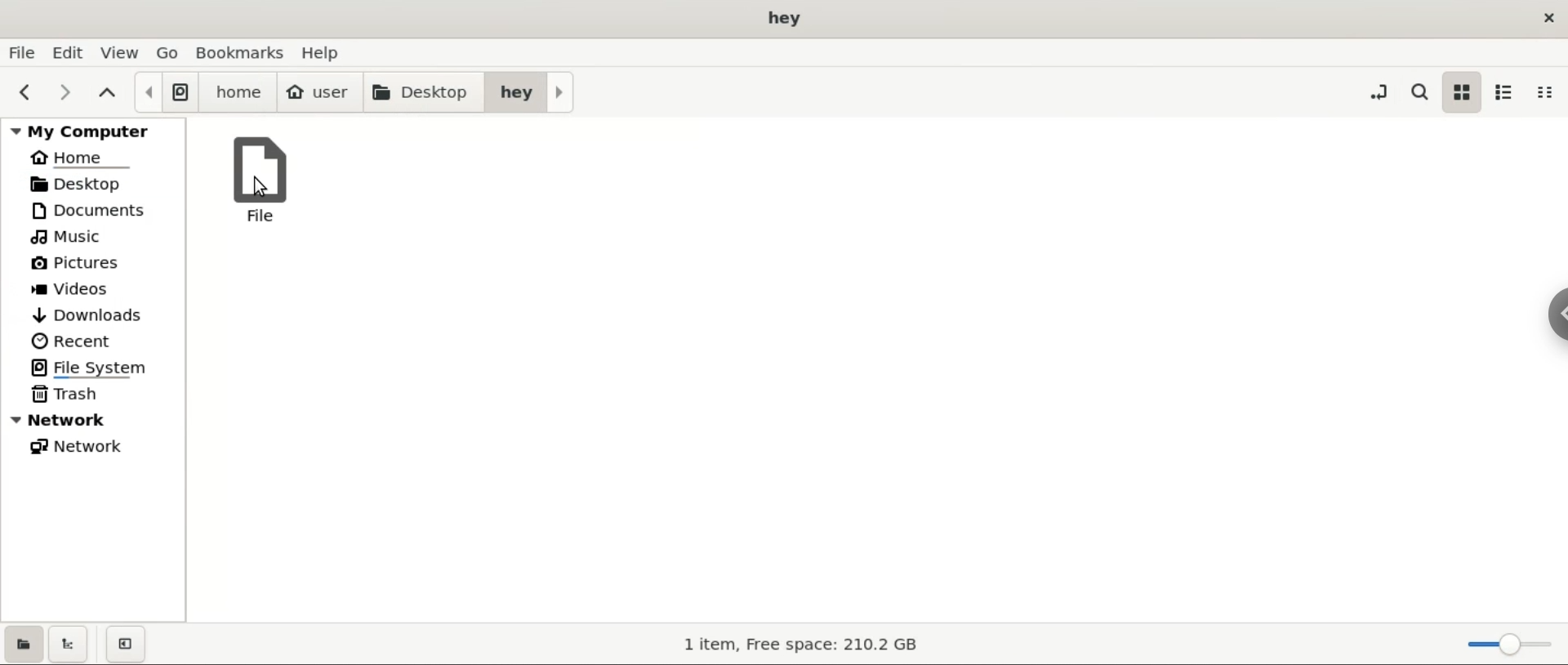  I want to click on search, so click(1423, 91).